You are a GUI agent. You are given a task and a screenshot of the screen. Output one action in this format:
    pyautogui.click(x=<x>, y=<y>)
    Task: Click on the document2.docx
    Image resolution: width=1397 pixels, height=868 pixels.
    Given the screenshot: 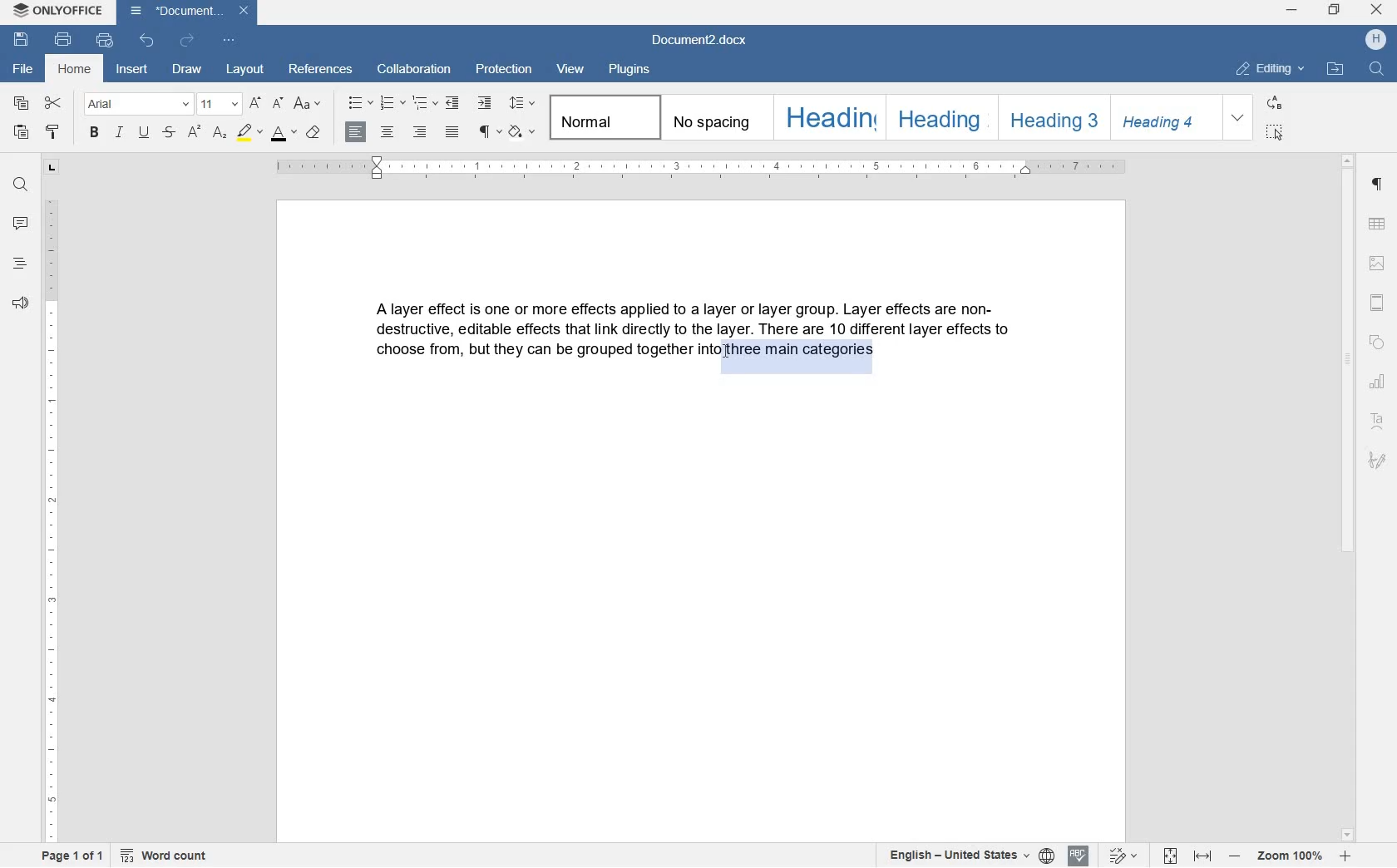 What is the action you would take?
    pyautogui.click(x=187, y=12)
    